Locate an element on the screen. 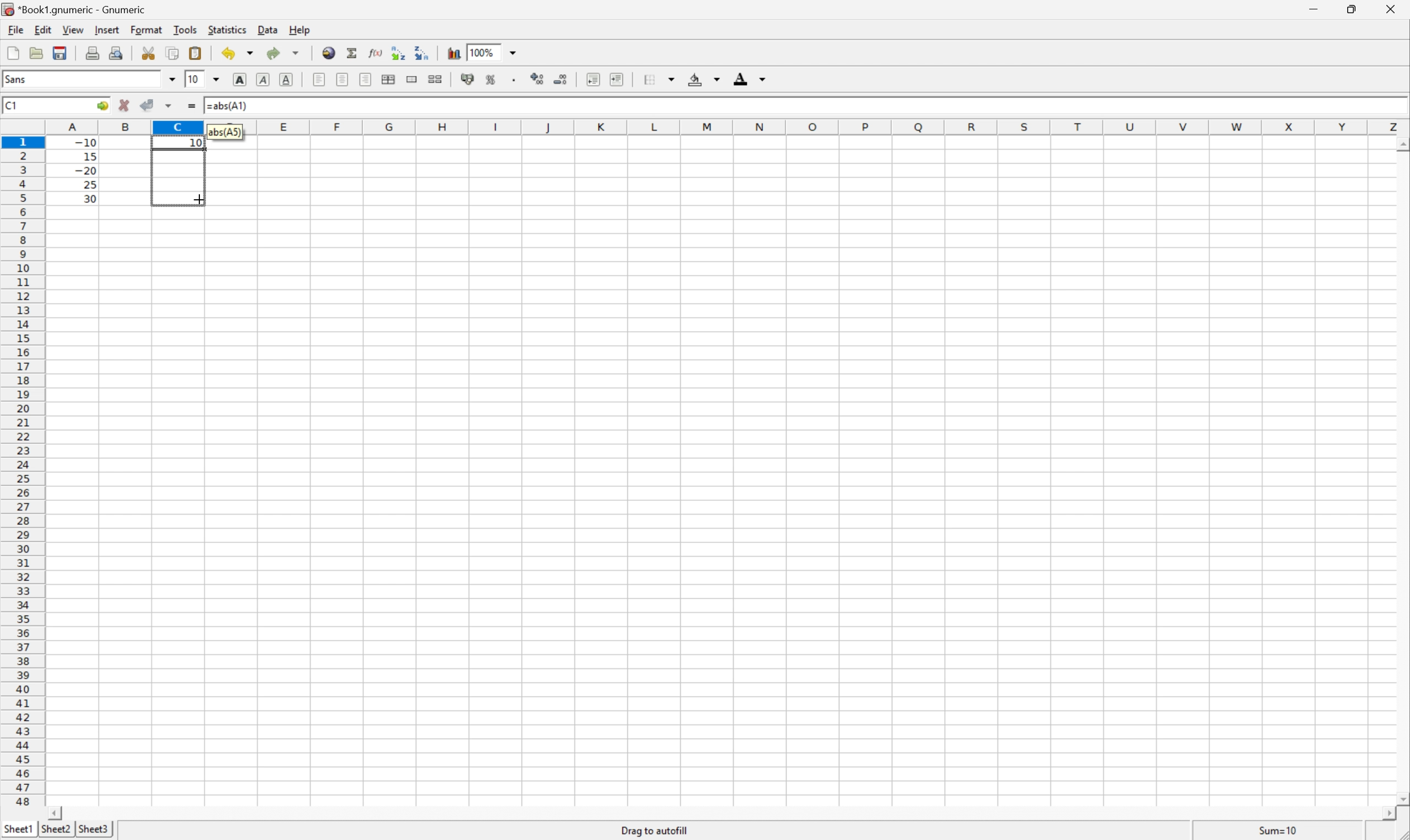 The image size is (1410, 840). 10 is located at coordinates (193, 79).